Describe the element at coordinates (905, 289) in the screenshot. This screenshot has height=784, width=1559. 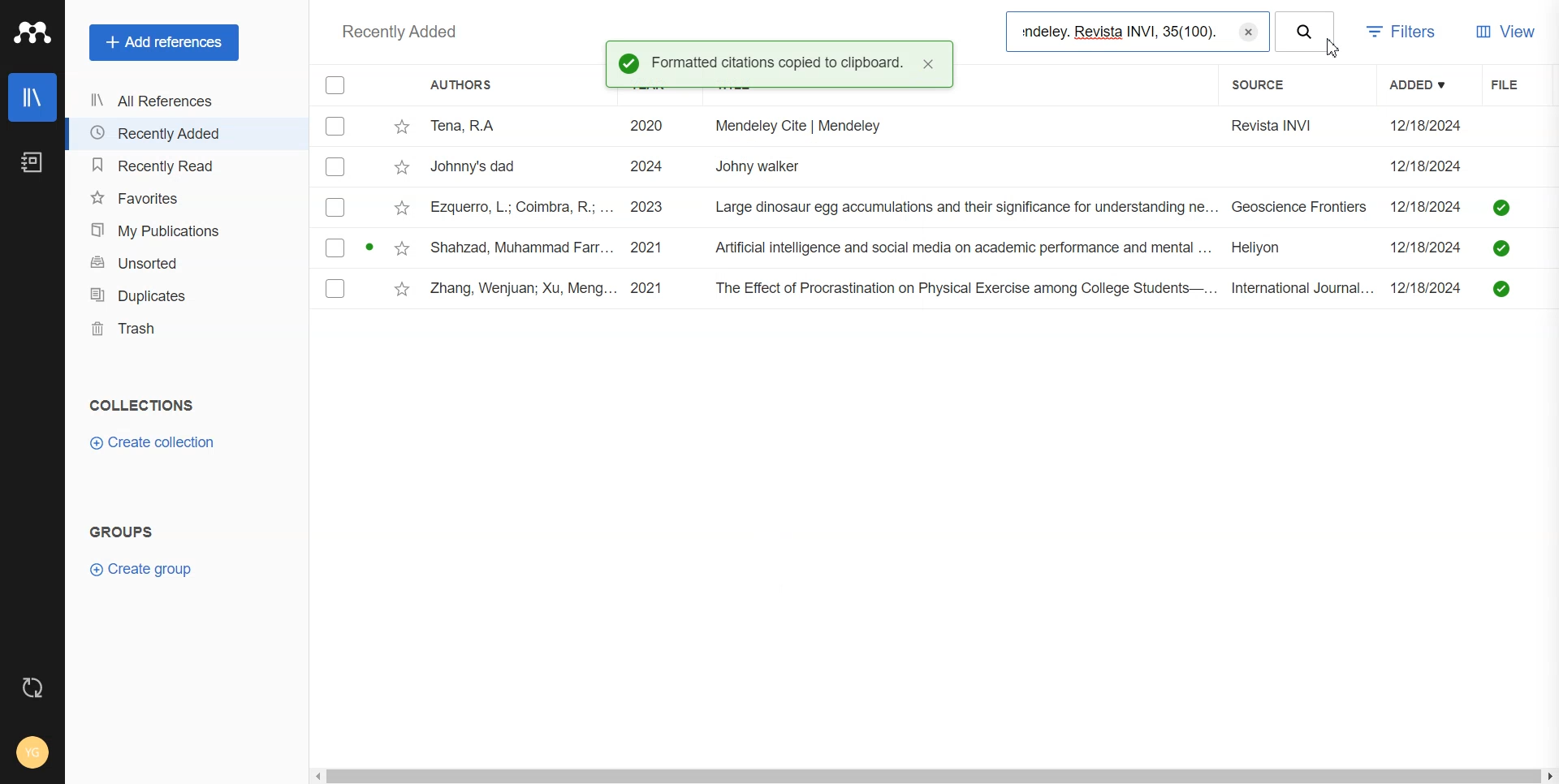
I see `Zhang, Wenjuan; Xu, Meng... 2021 The Effect of Procrastination on Physical Exercise among College Students—... International Journal...` at that location.